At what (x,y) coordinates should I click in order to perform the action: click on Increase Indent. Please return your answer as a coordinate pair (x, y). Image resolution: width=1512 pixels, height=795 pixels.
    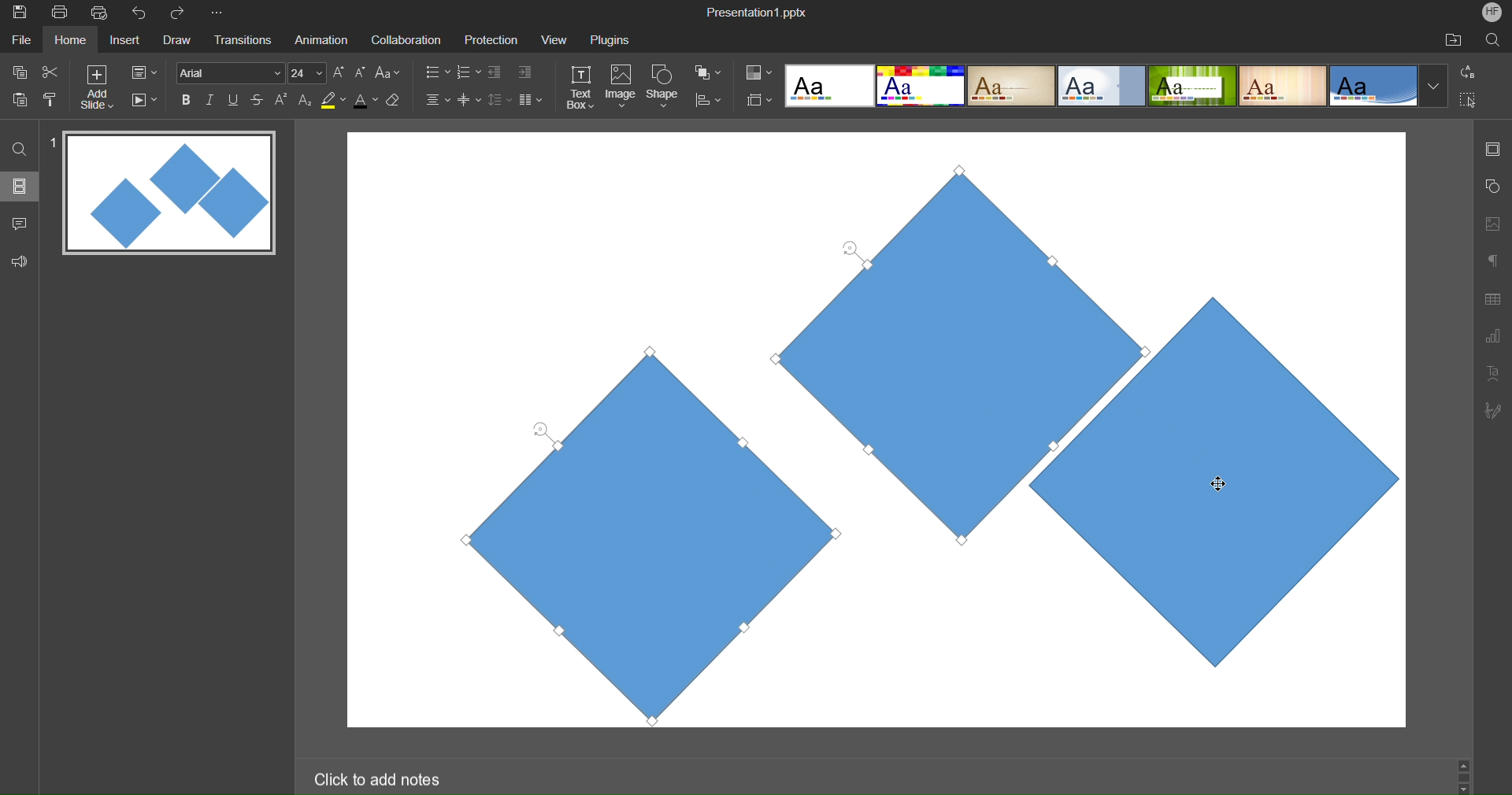
    Looking at the image, I should click on (525, 70).